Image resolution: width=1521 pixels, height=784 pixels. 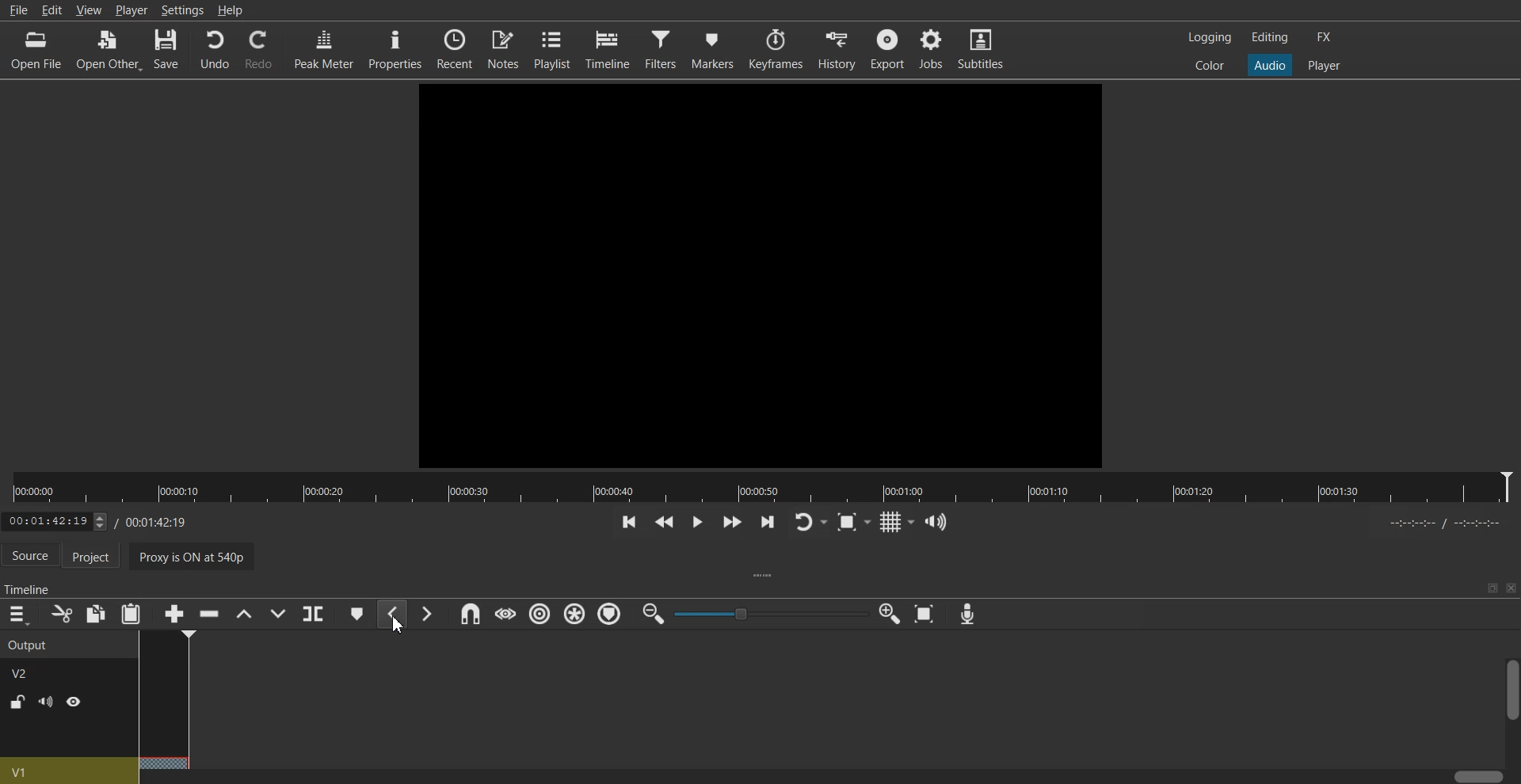 What do you see at coordinates (765, 577) in the screenshot?
I see `Drag Handle` at bounding box center [765, 577].